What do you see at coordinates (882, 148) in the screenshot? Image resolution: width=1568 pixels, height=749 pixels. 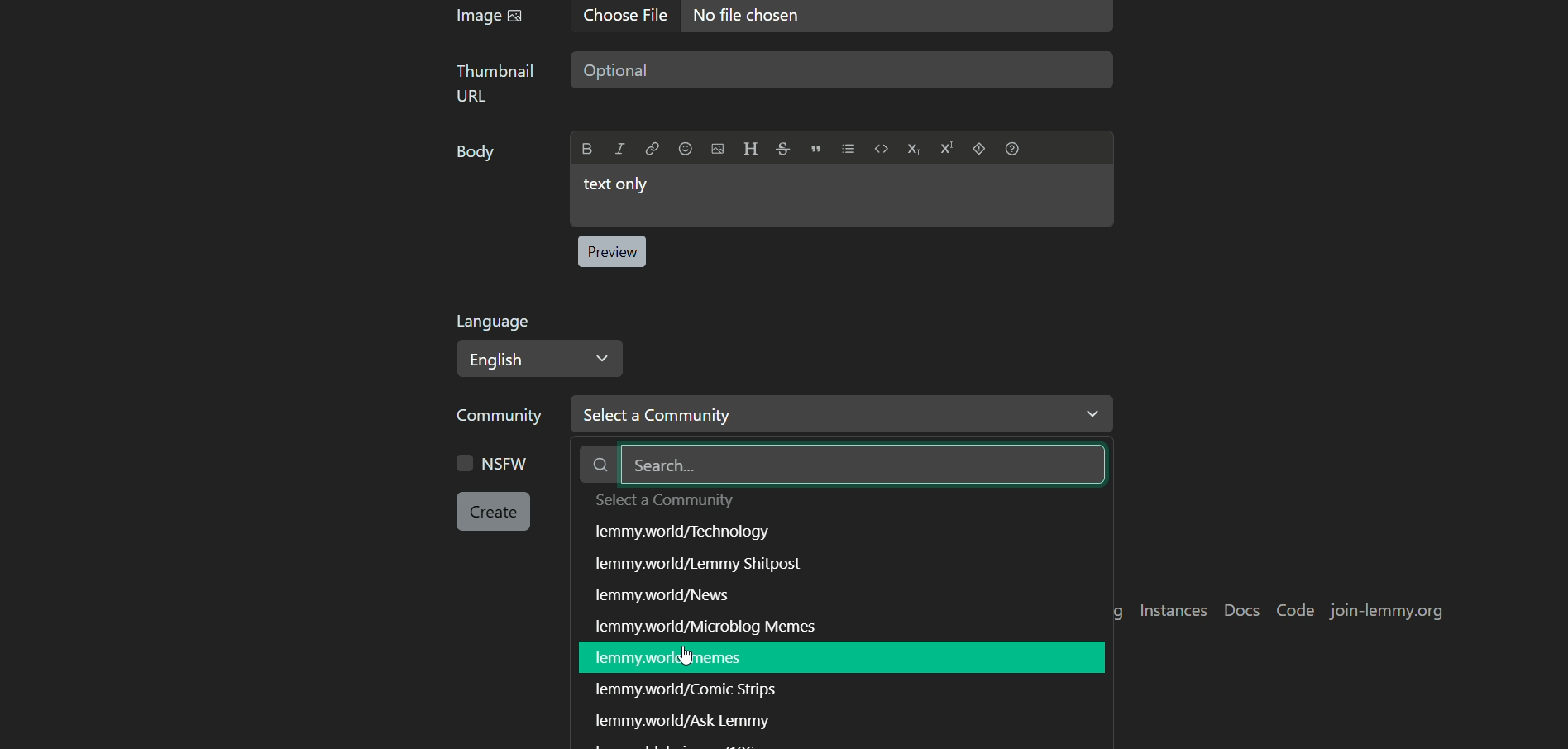 I see `Code` at bounding box center [882, 148].